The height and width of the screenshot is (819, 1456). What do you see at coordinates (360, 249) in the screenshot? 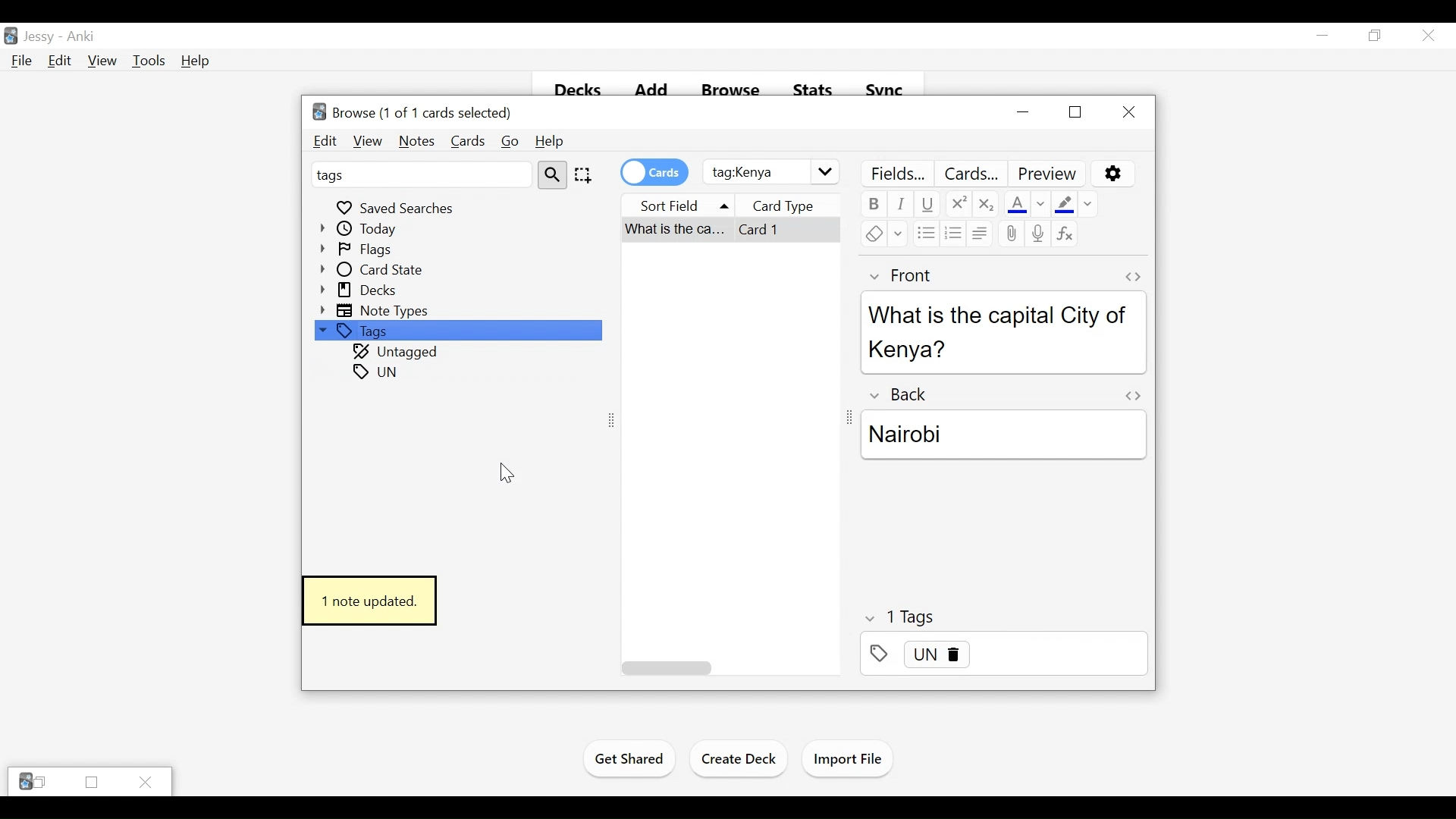
I see `Flags` at bounding box center [360, 249].